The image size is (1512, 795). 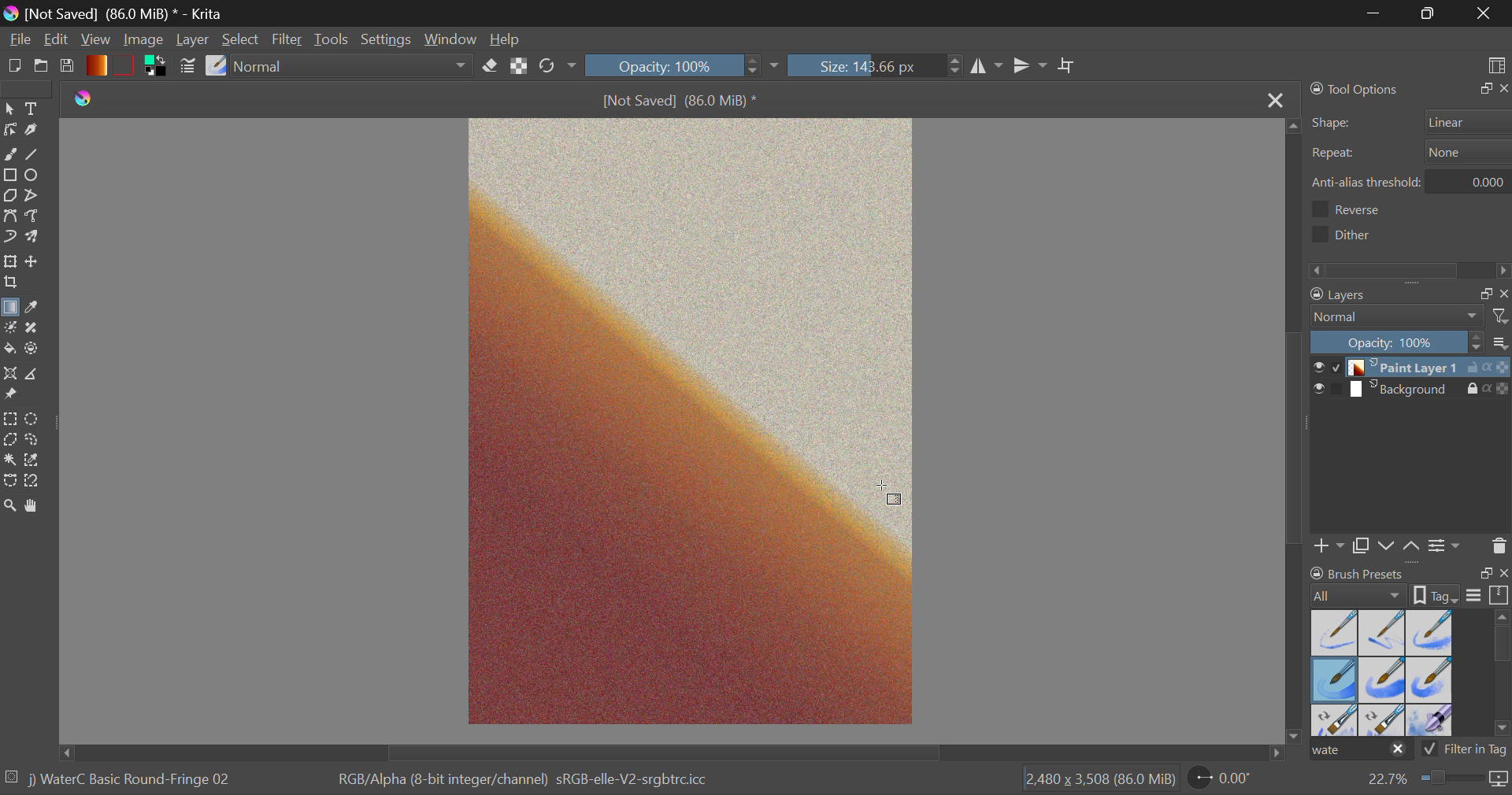 I want to click on Fill, so click(x=11, y=349).